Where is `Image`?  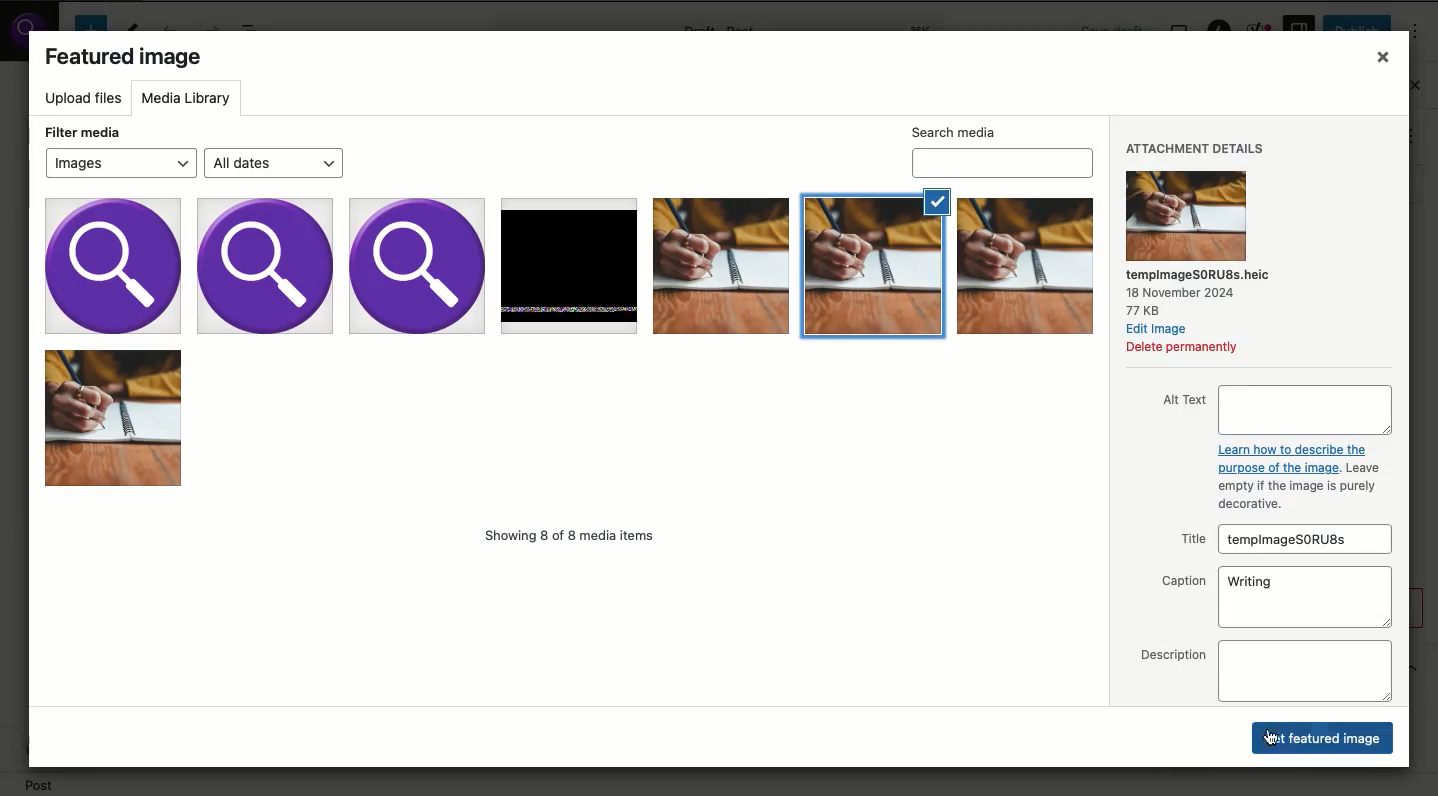 Image is located at coordinates (720, 265).